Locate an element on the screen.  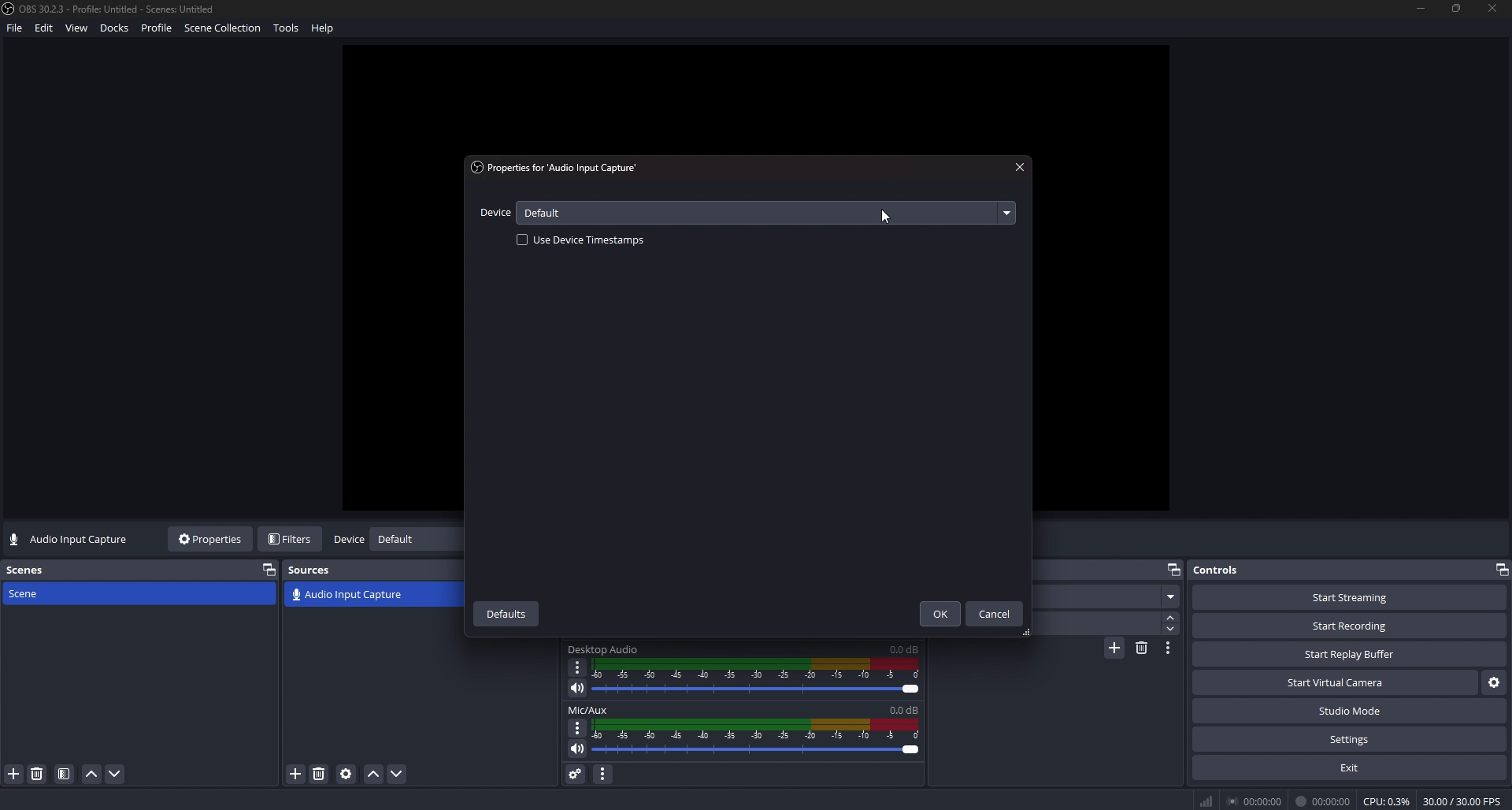
no source selected is located at coordinates (70, 540).